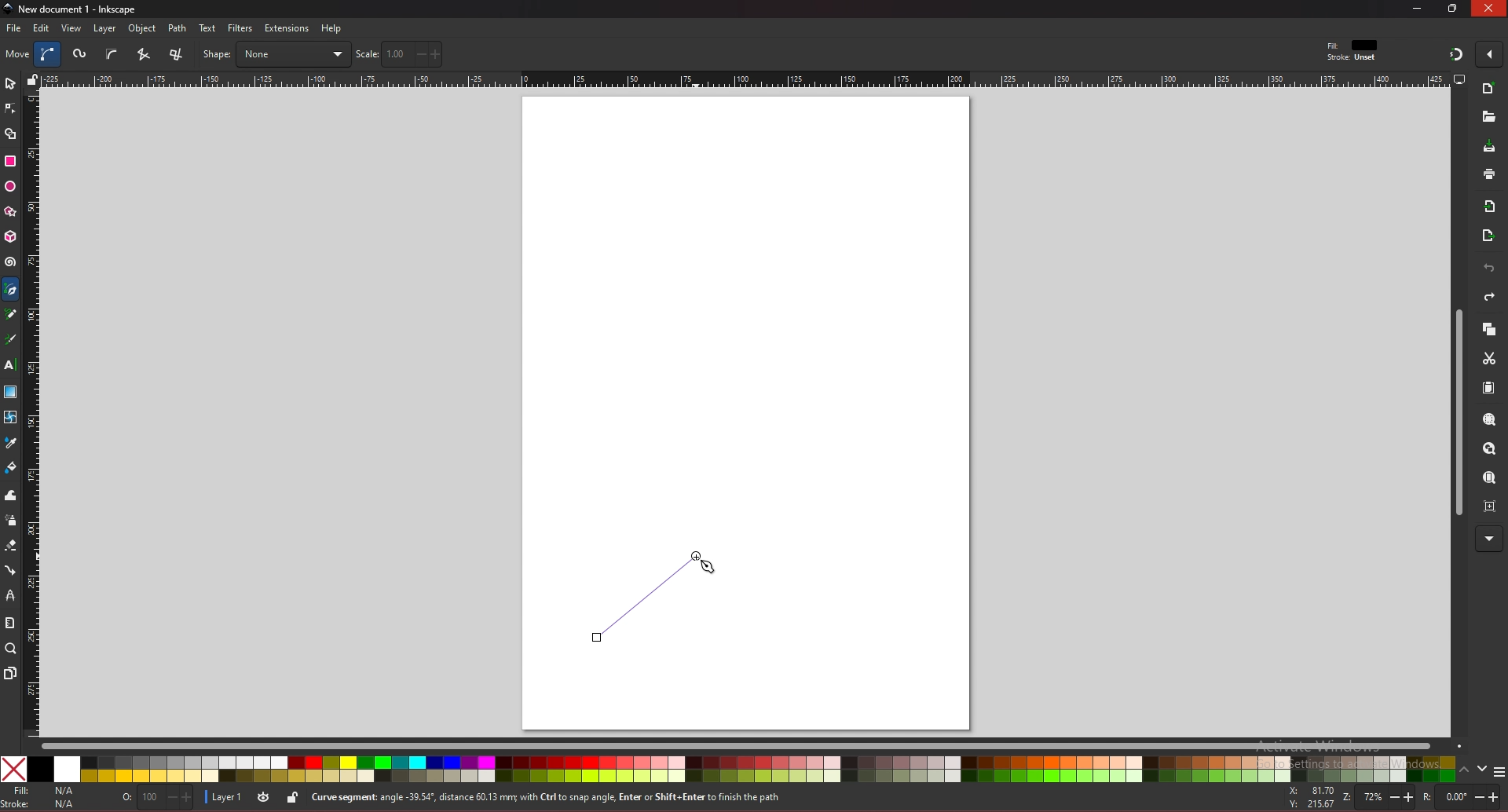 This screenshot has height=812, width=1508. What do you see at coordinates (1492, 505) in the screenshot?
I see `zoom centre page` at bounding box center [1492, 505].